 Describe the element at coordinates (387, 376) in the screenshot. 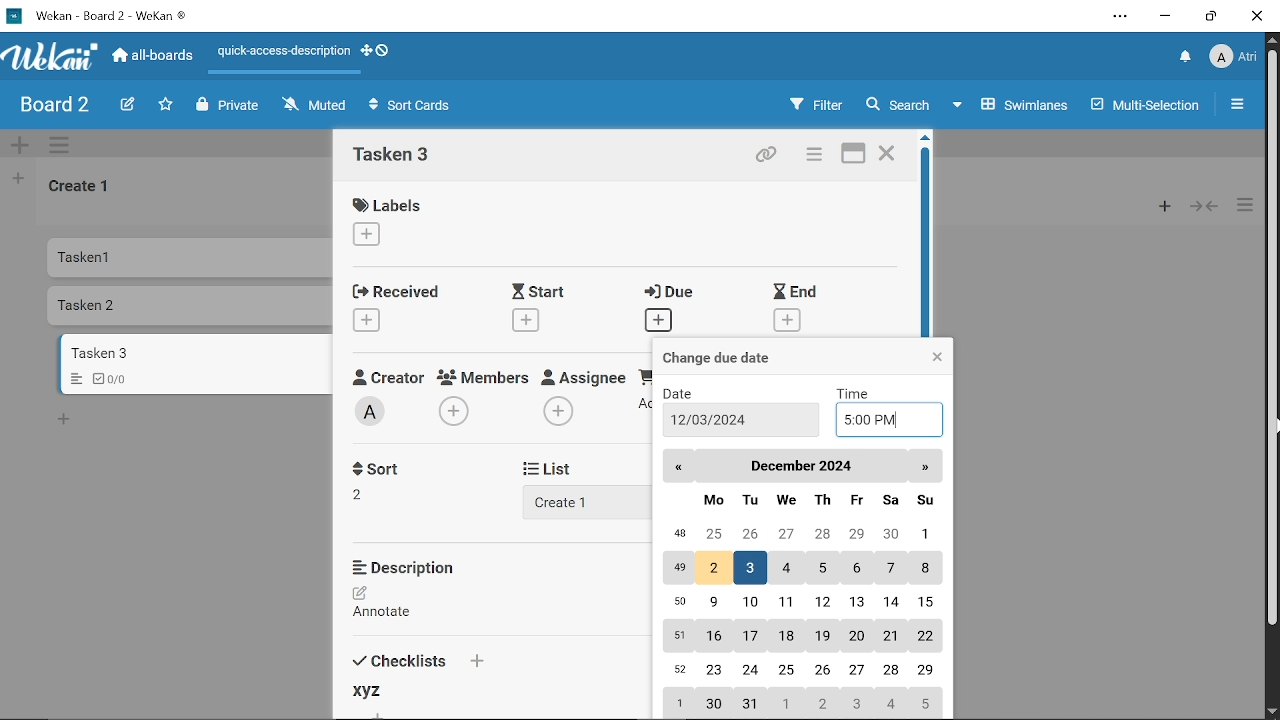

I see `Creator` at that location.